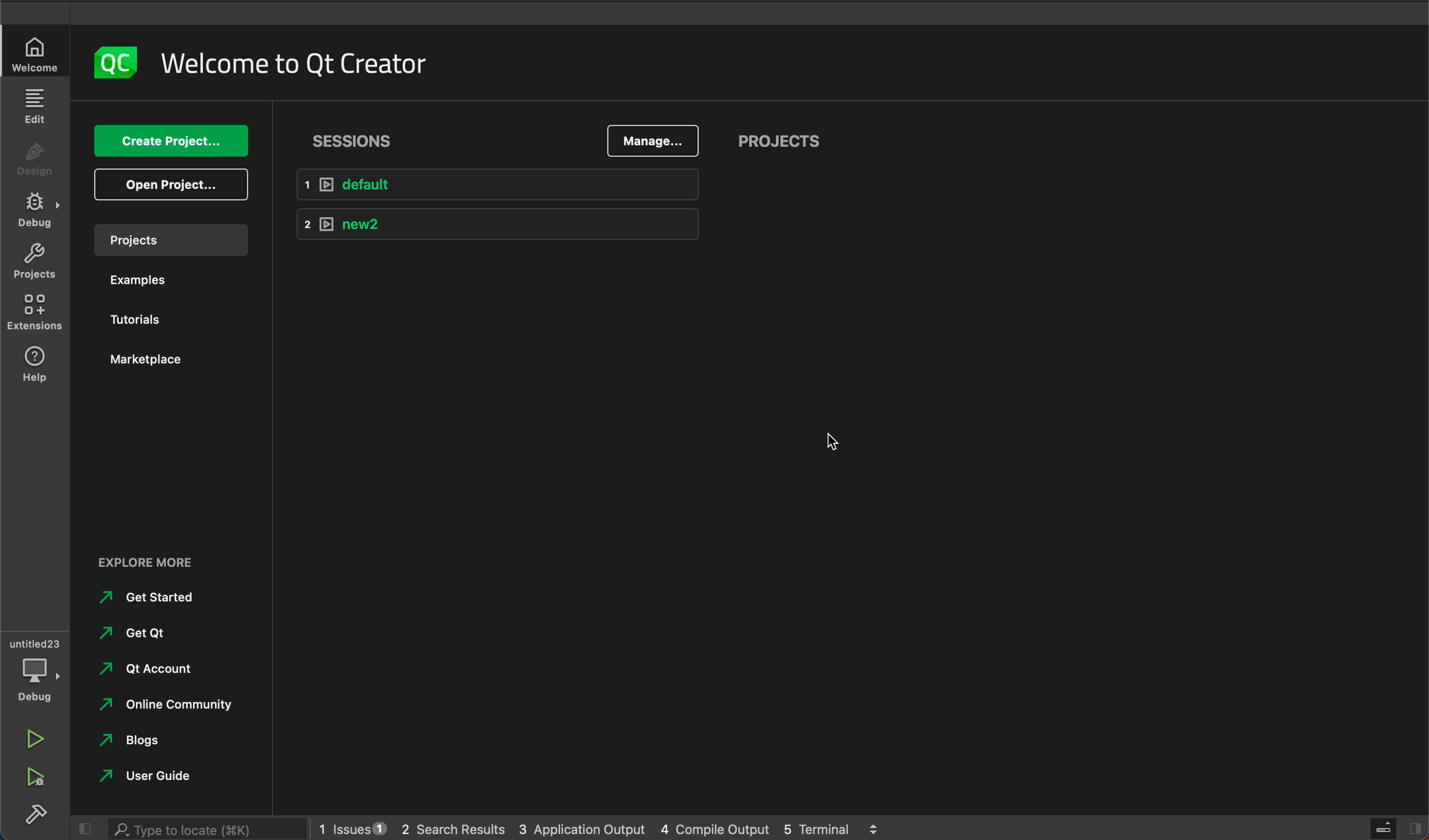  Describe the element at coordinates (144, 632) in the screenshot. I see `get qt` at that location.